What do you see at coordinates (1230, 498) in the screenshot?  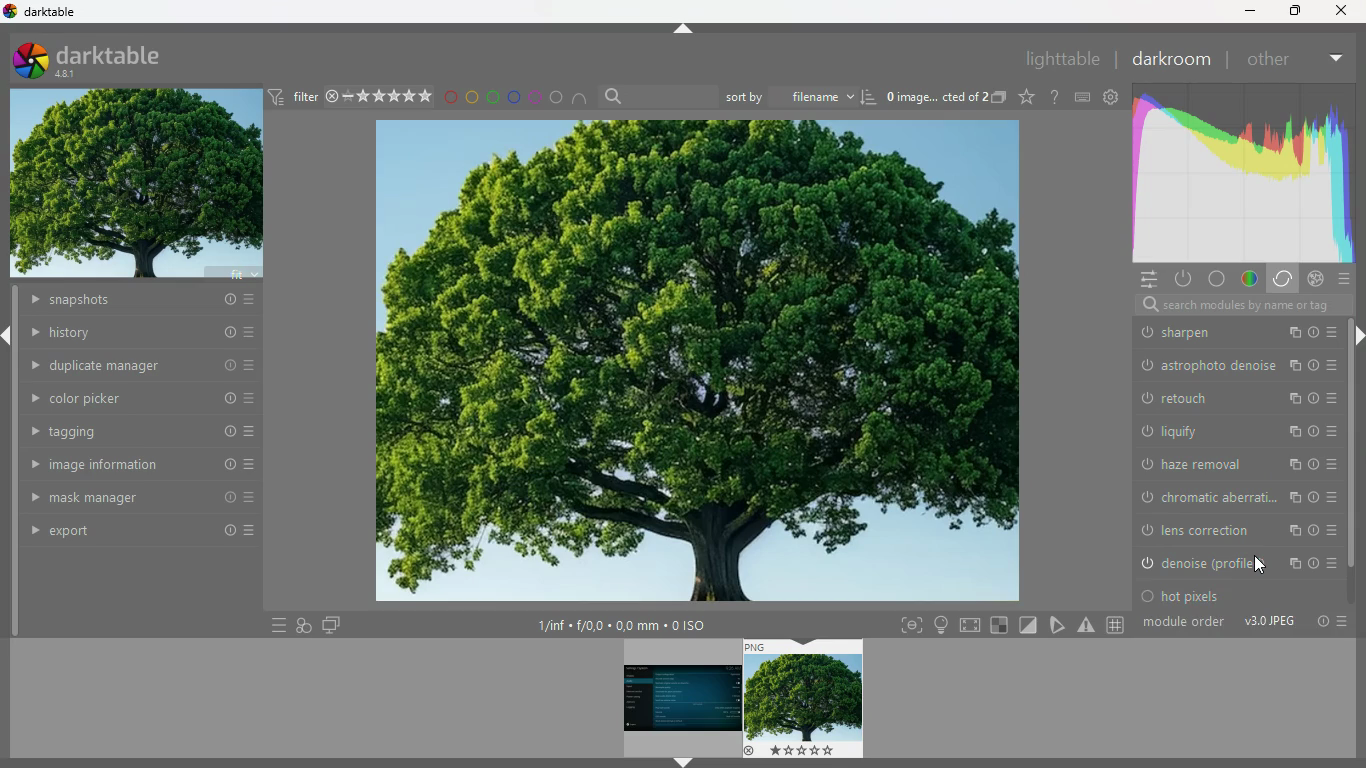 I see `contrast` at bounding box center [1230, 498].